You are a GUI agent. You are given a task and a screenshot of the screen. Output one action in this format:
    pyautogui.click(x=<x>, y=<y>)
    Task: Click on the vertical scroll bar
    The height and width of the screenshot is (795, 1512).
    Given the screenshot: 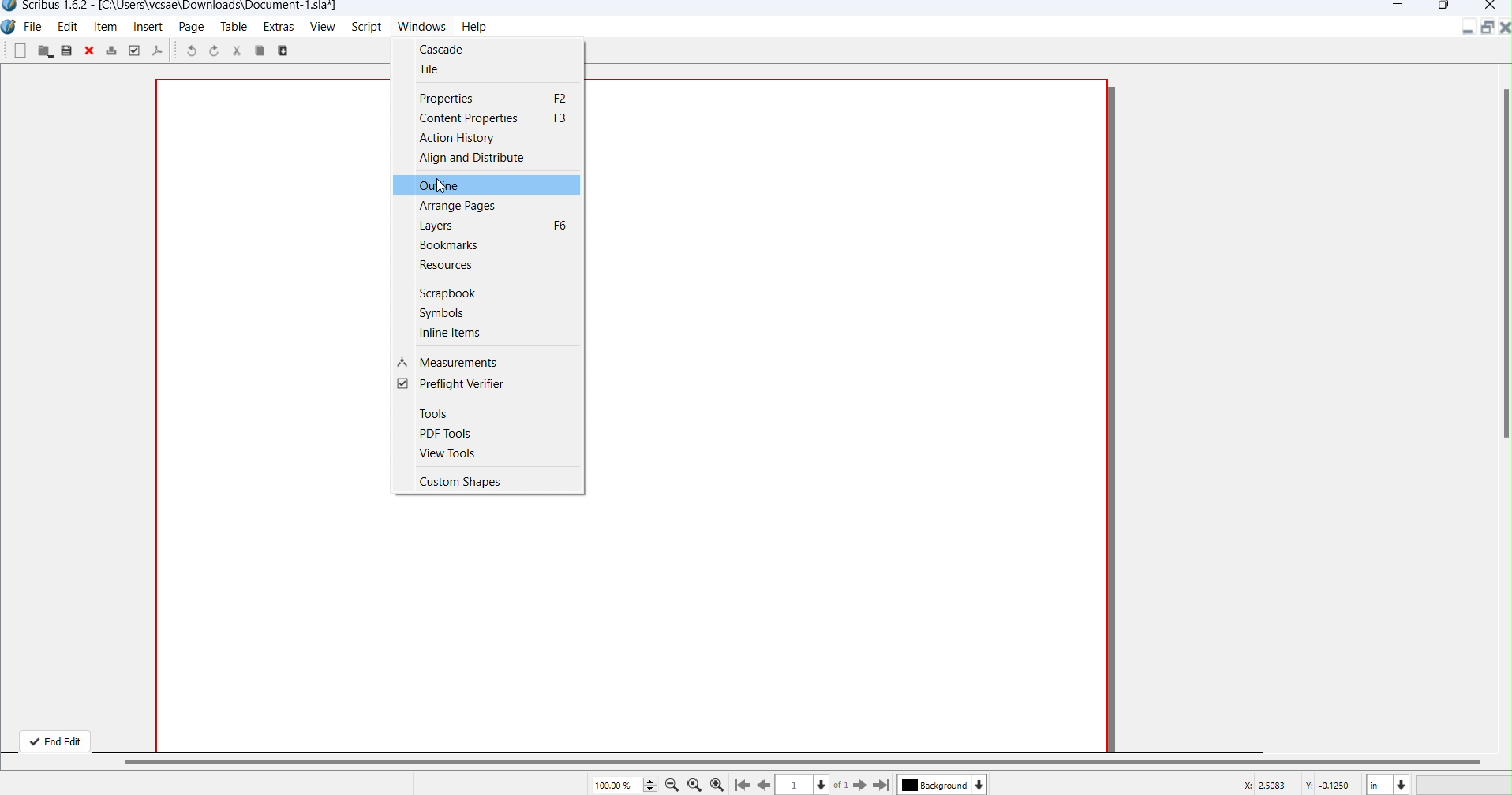 What is the action you would take?
    pyautogui.click(x=815, y=760)
    